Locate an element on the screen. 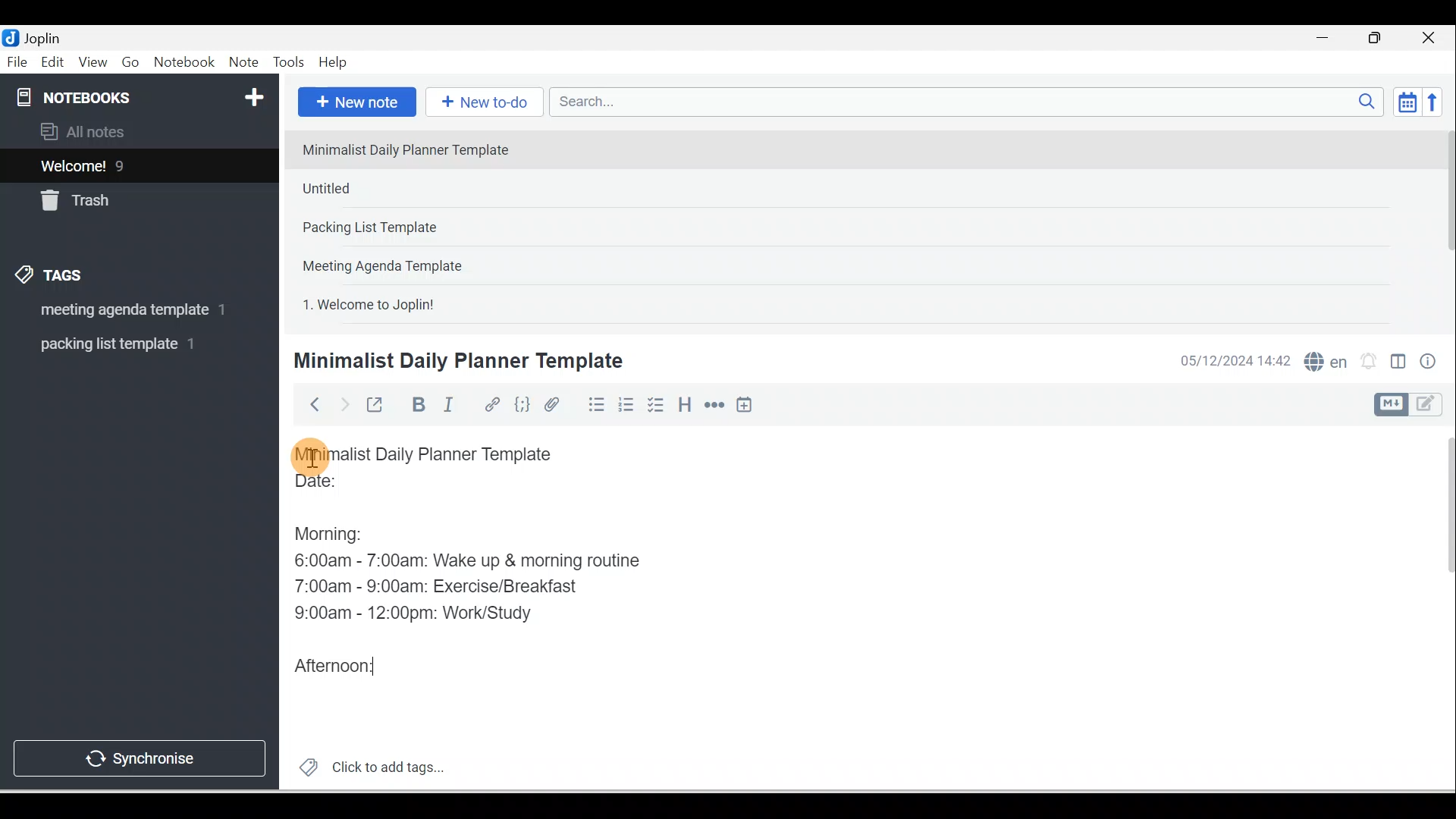 Image resolution: width=1456 pixels, height=819 pixels. Insert time is located at coordinates (744, 406).